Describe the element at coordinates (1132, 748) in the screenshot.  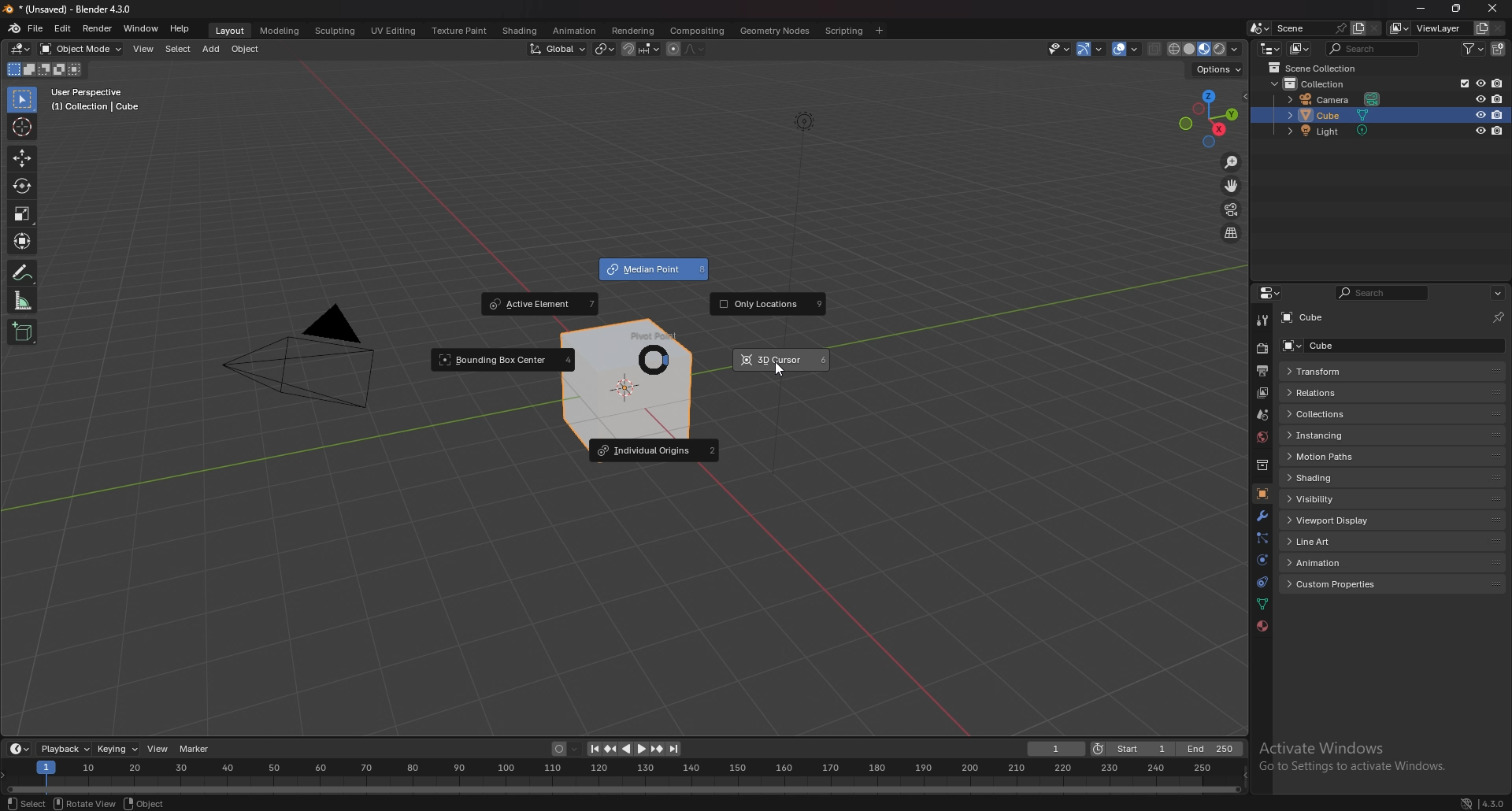
I see `start frame` at that location.